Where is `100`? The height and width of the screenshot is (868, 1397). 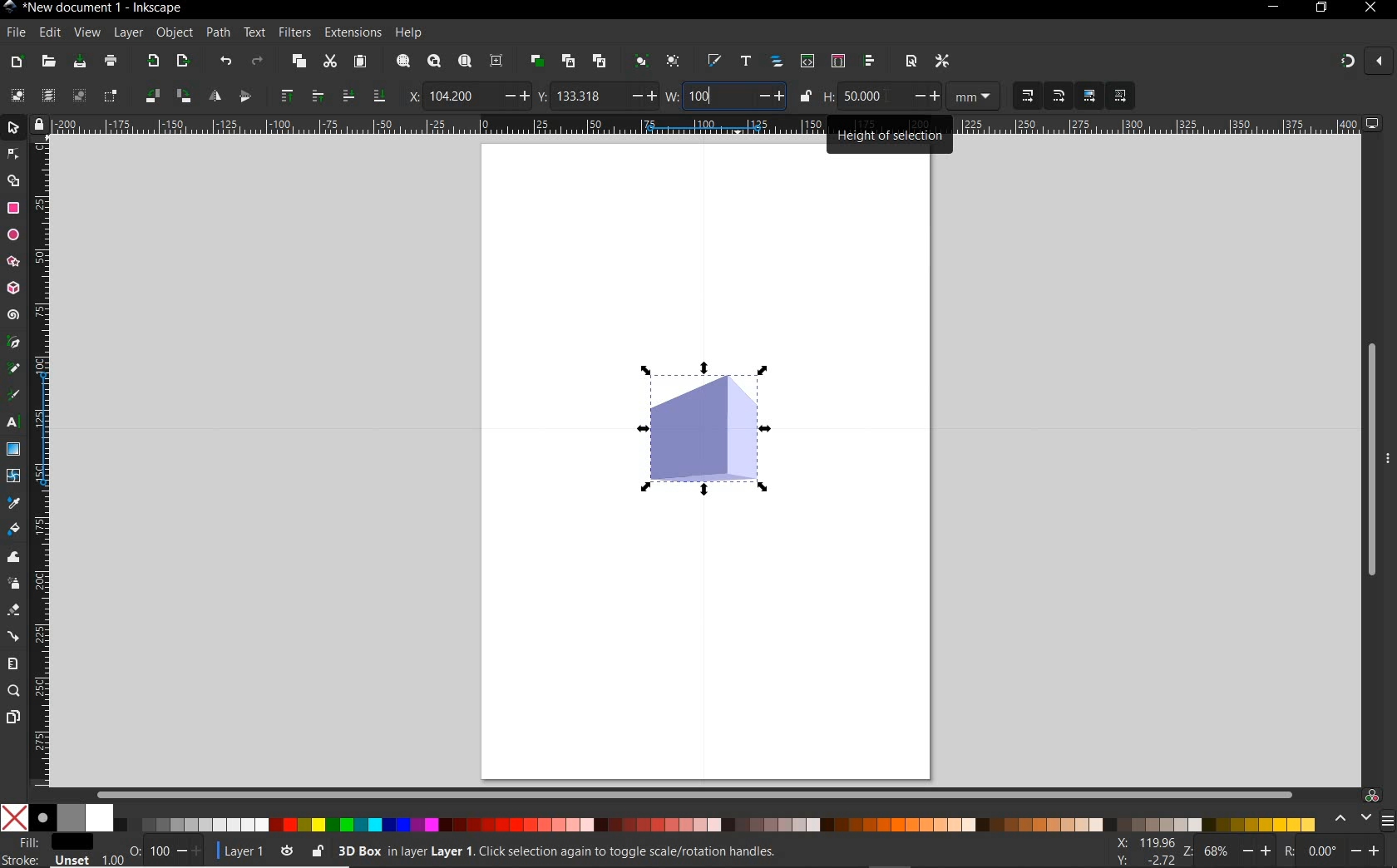 100 is located at coordinates (159, 851).